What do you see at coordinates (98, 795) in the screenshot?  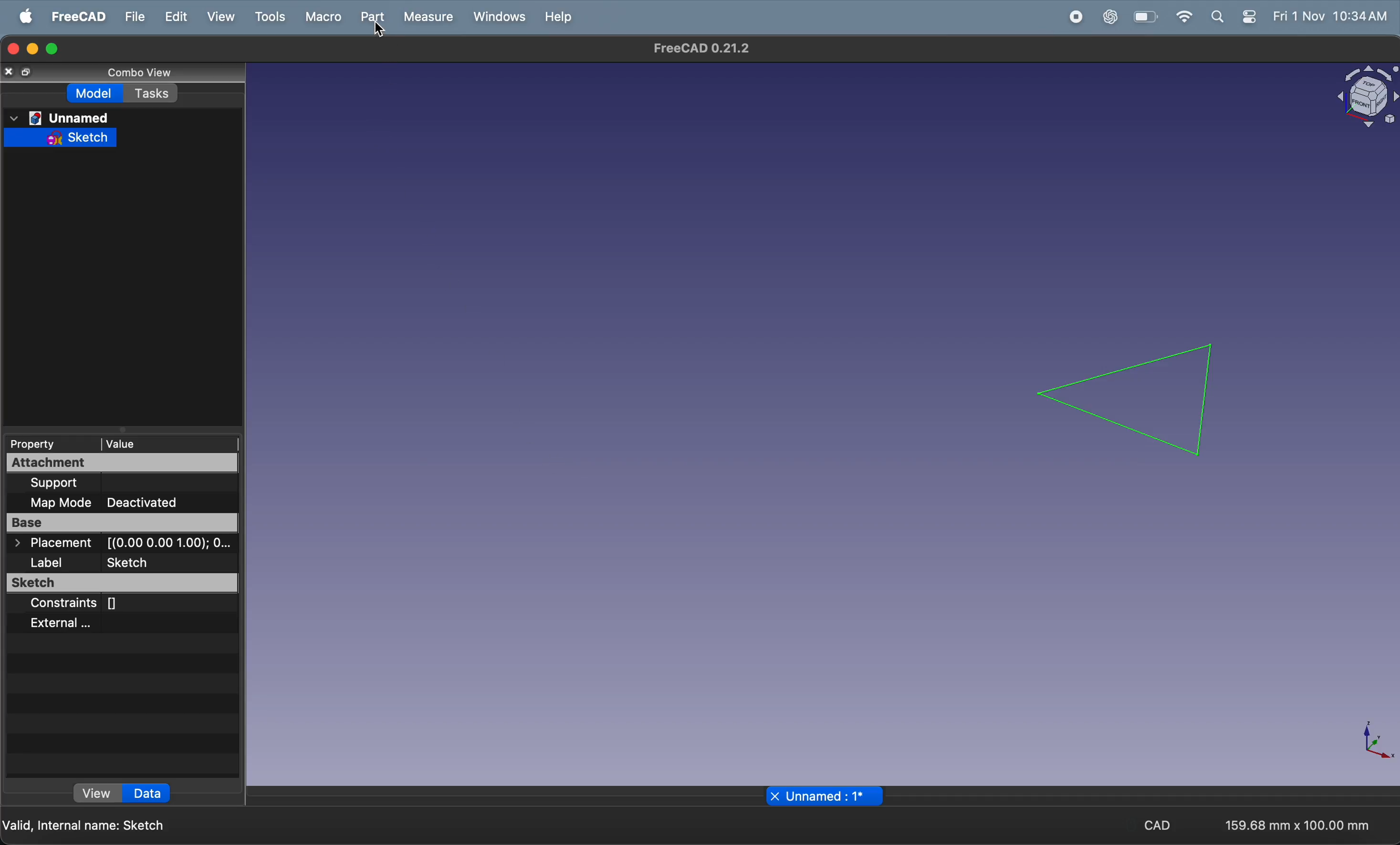 I see `view` at bounding box center [98, 795].